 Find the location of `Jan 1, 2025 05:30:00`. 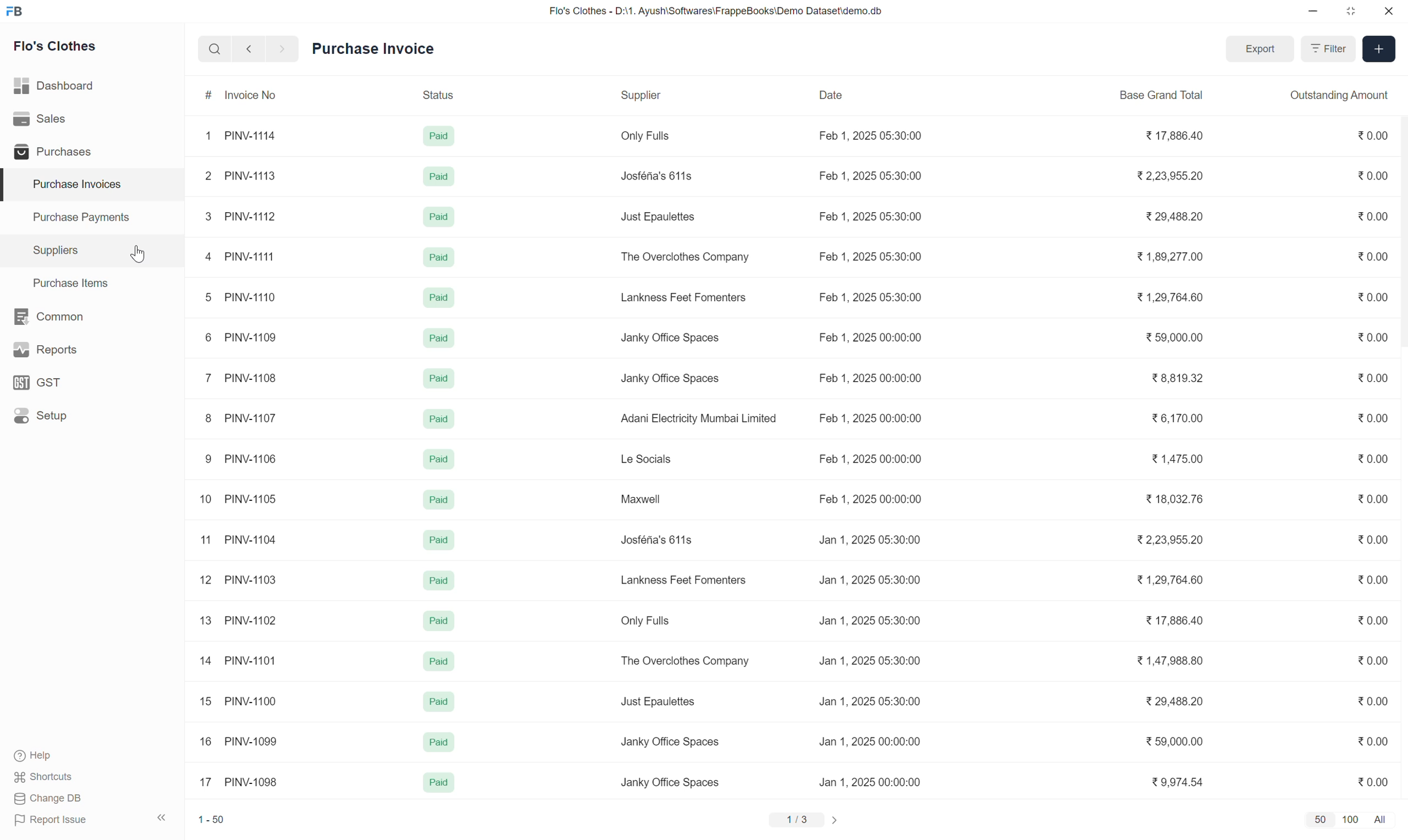

Jan 1, 2025 05:30:00 is located at coordinates (872, 580).